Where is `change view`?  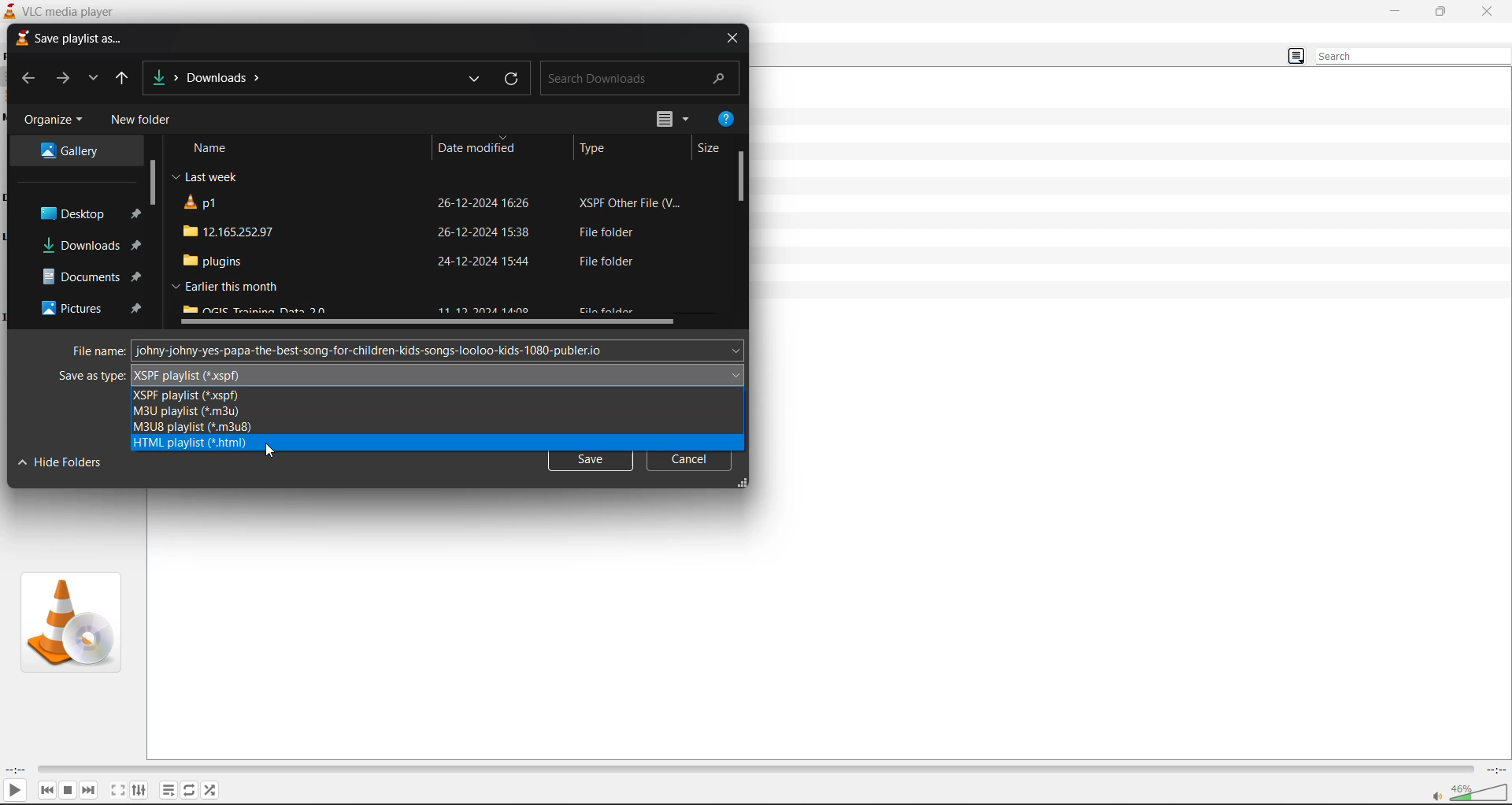
change view is located at coordinates (673, 120).